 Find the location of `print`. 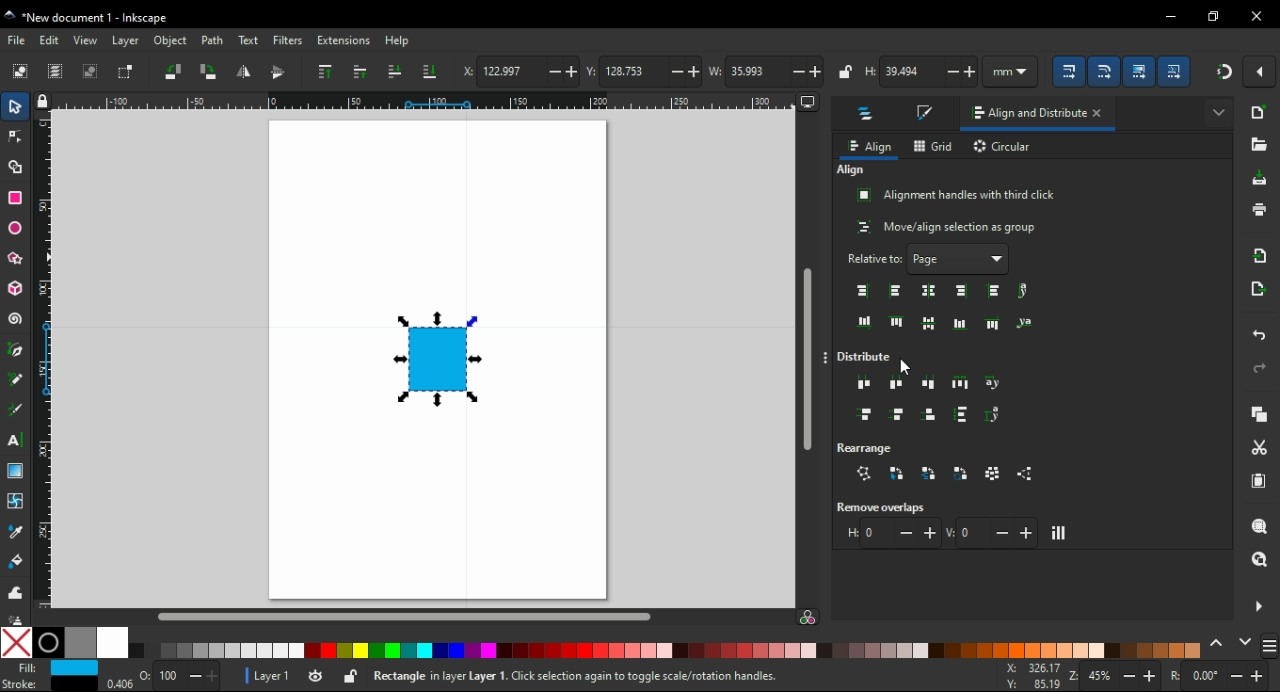

print is located at coordinates (1259, 210).